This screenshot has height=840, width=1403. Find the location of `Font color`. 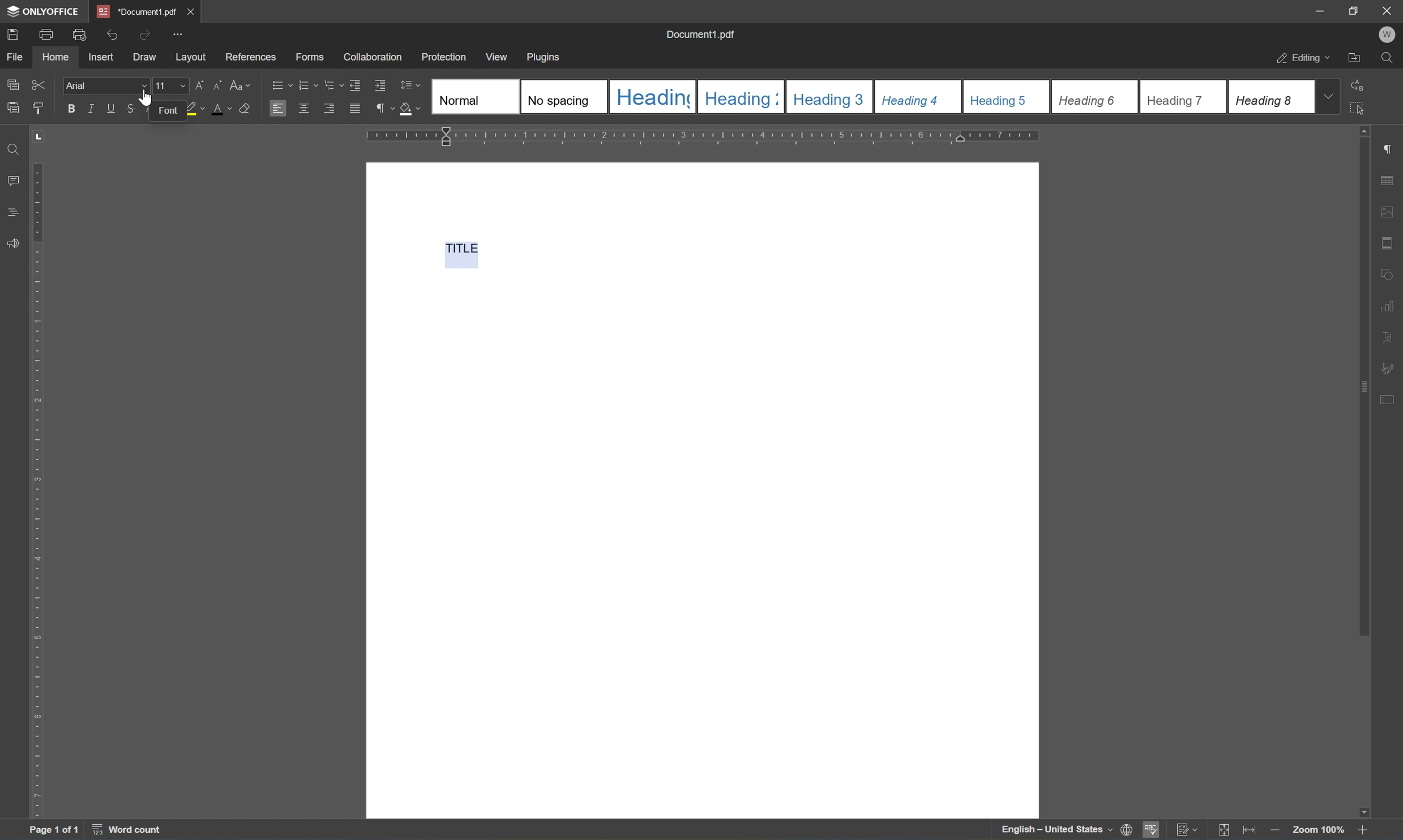

Font color is located at coordinates (222, 109).